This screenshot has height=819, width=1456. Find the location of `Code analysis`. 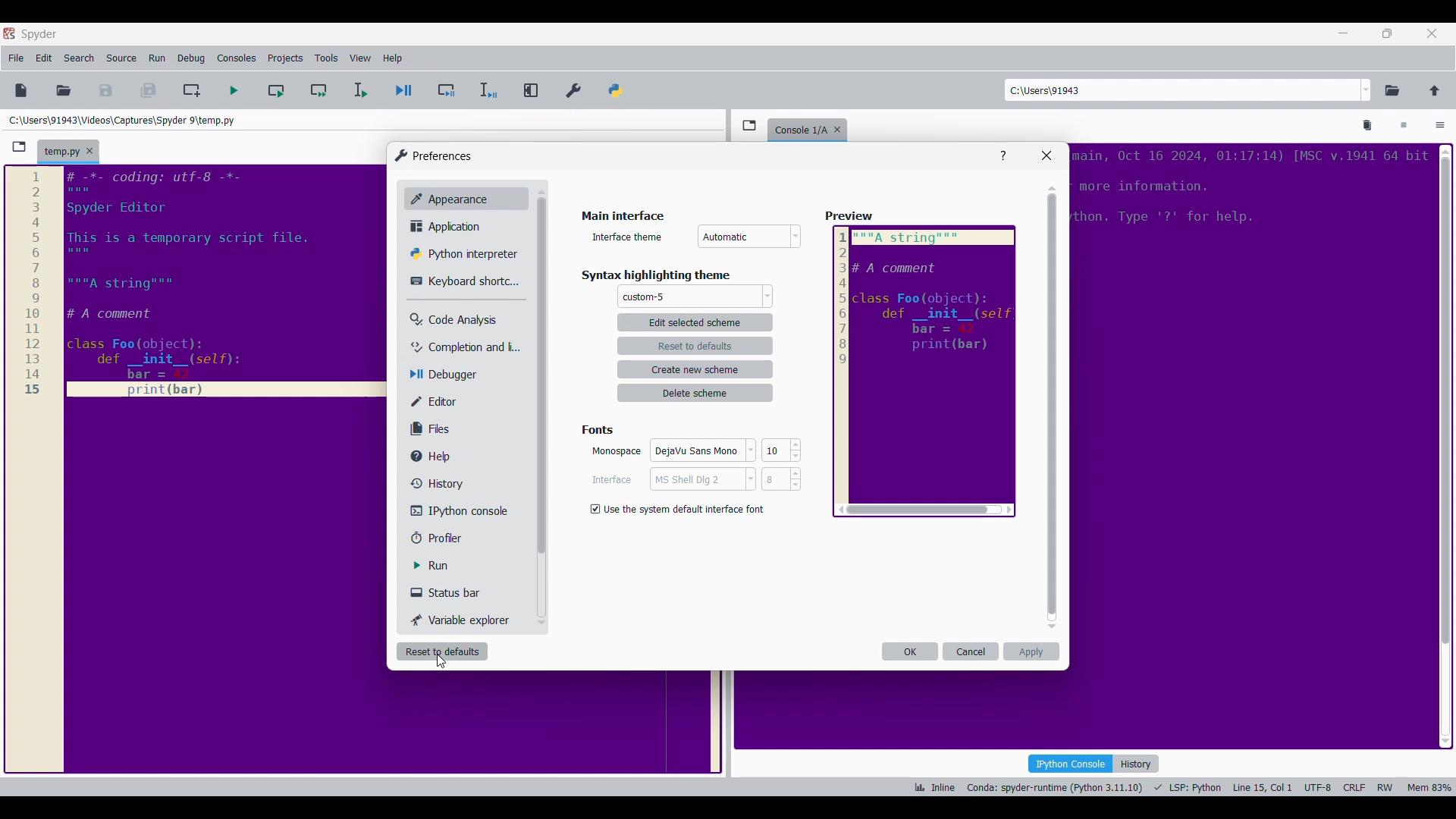

Code analysis is located at coordinates (466, 319).